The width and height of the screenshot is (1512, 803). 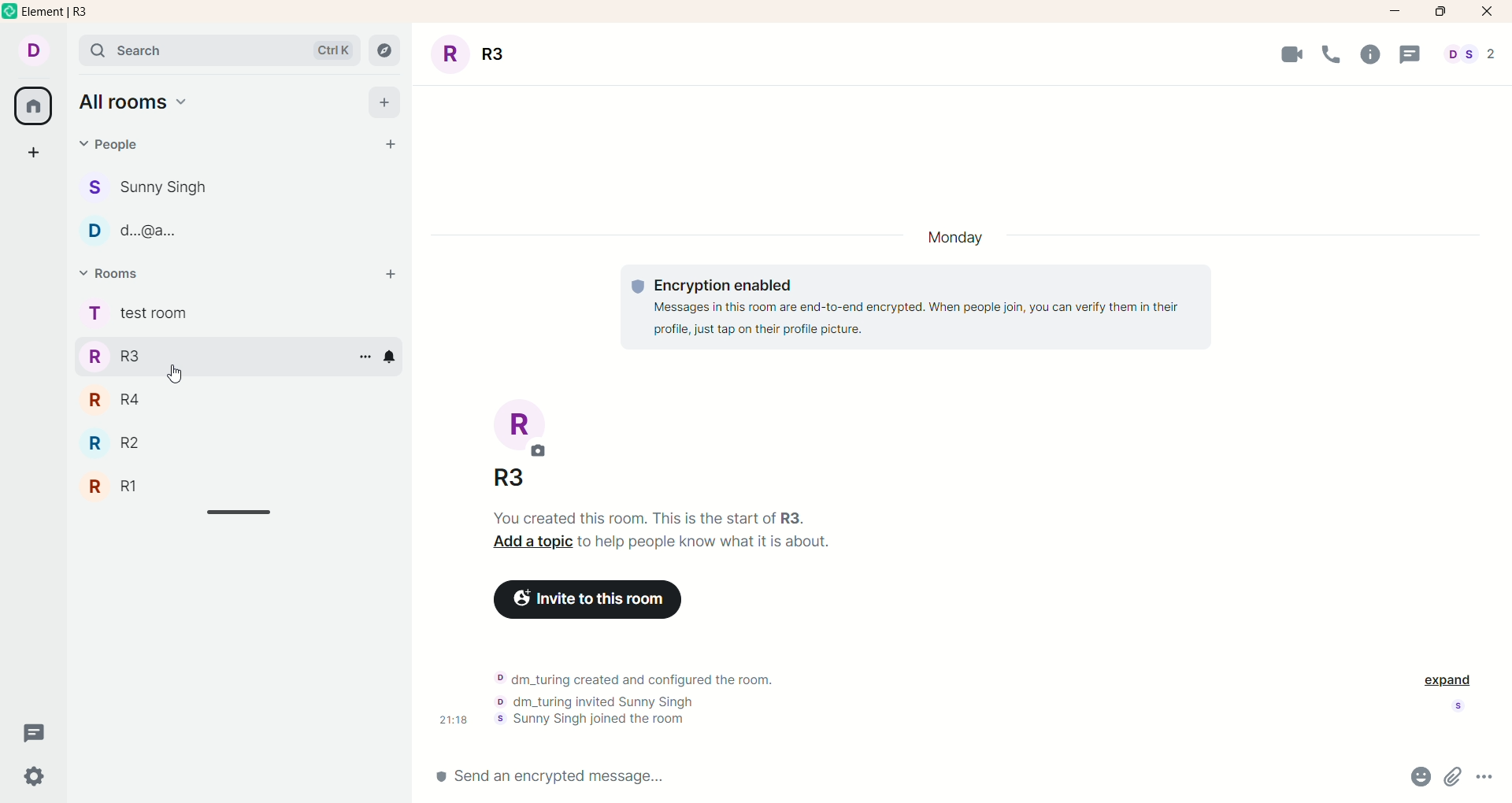 What do you see at coordinates (169, 185) in the screenshot?
I see `people` at bounding box center [169, 185].